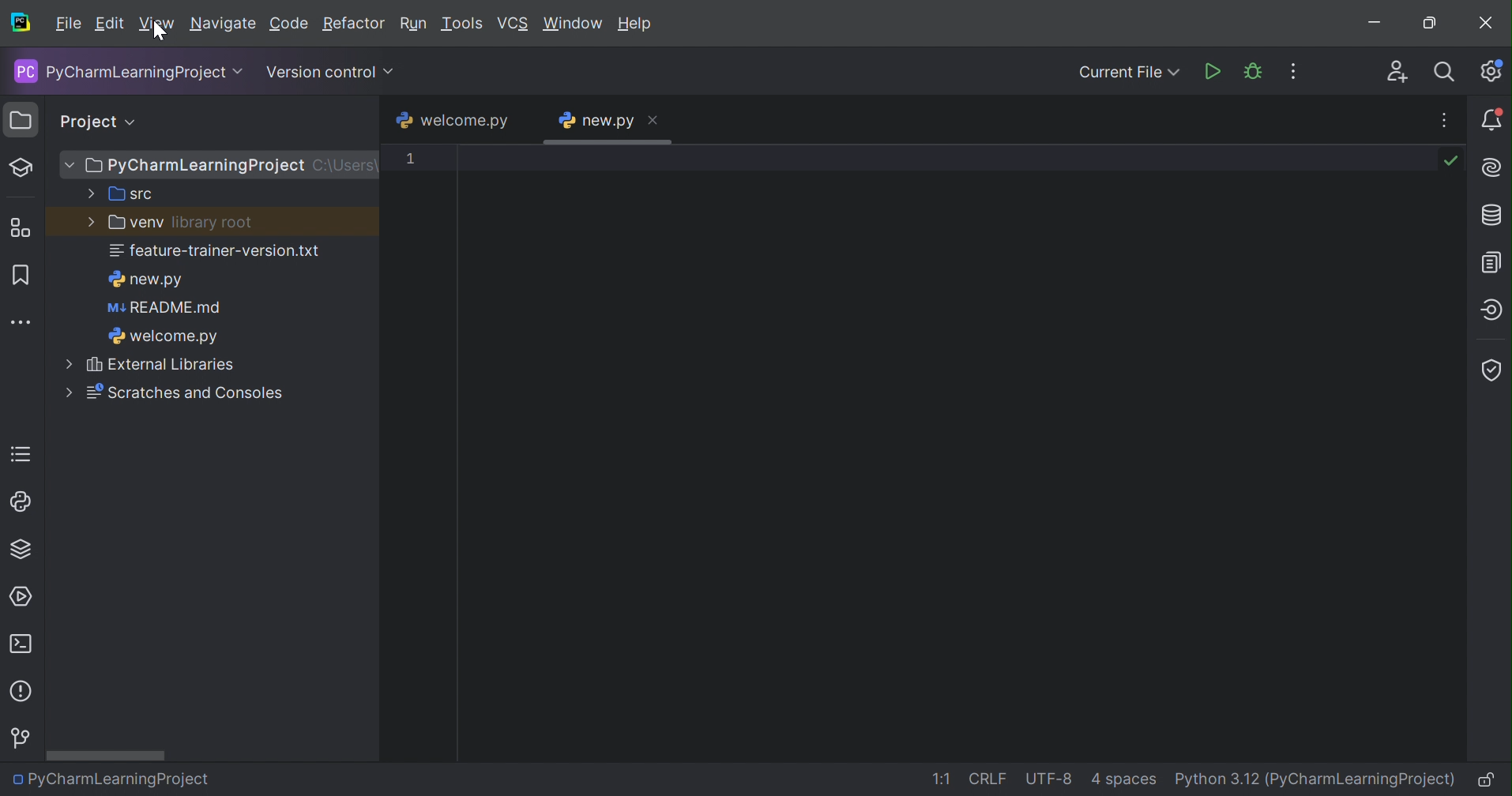 The width and height of the screenshot is (1512, 796). Describe the element at coordinates (1494, 168) in the screenshot. I see `AI Assistance` at that location.